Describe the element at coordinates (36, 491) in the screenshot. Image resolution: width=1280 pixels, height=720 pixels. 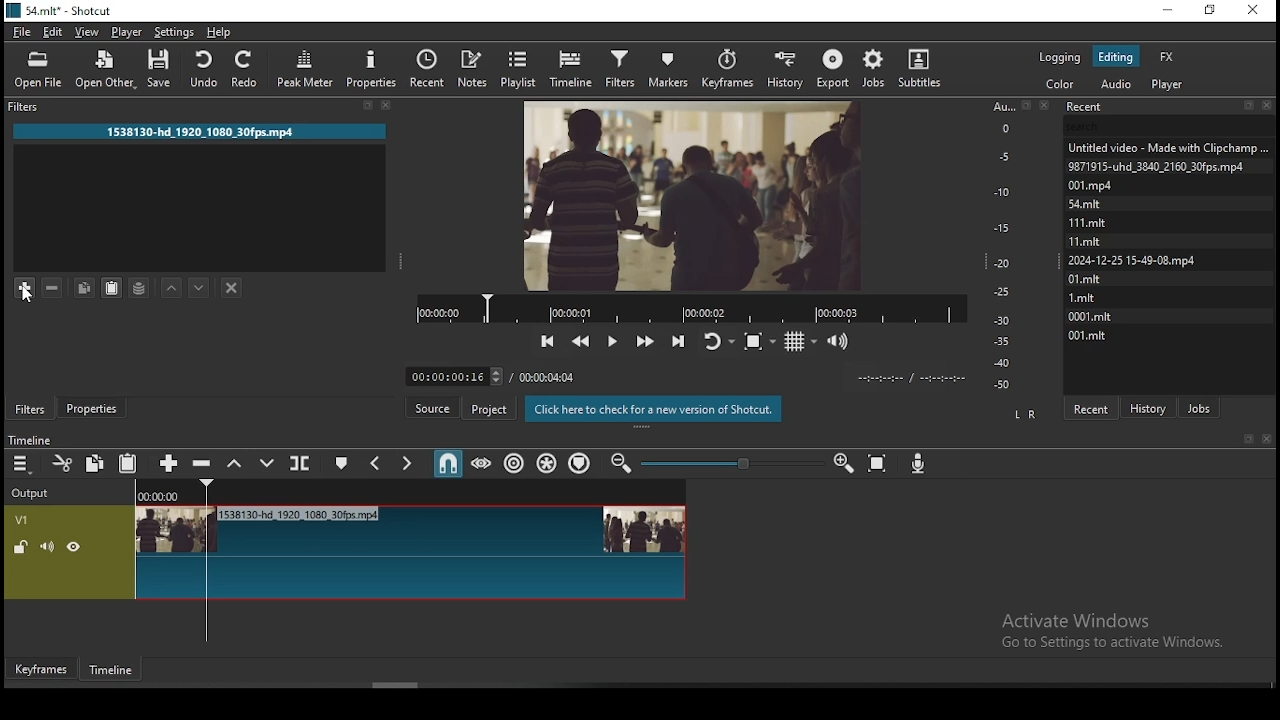
I see `Output` at that location.